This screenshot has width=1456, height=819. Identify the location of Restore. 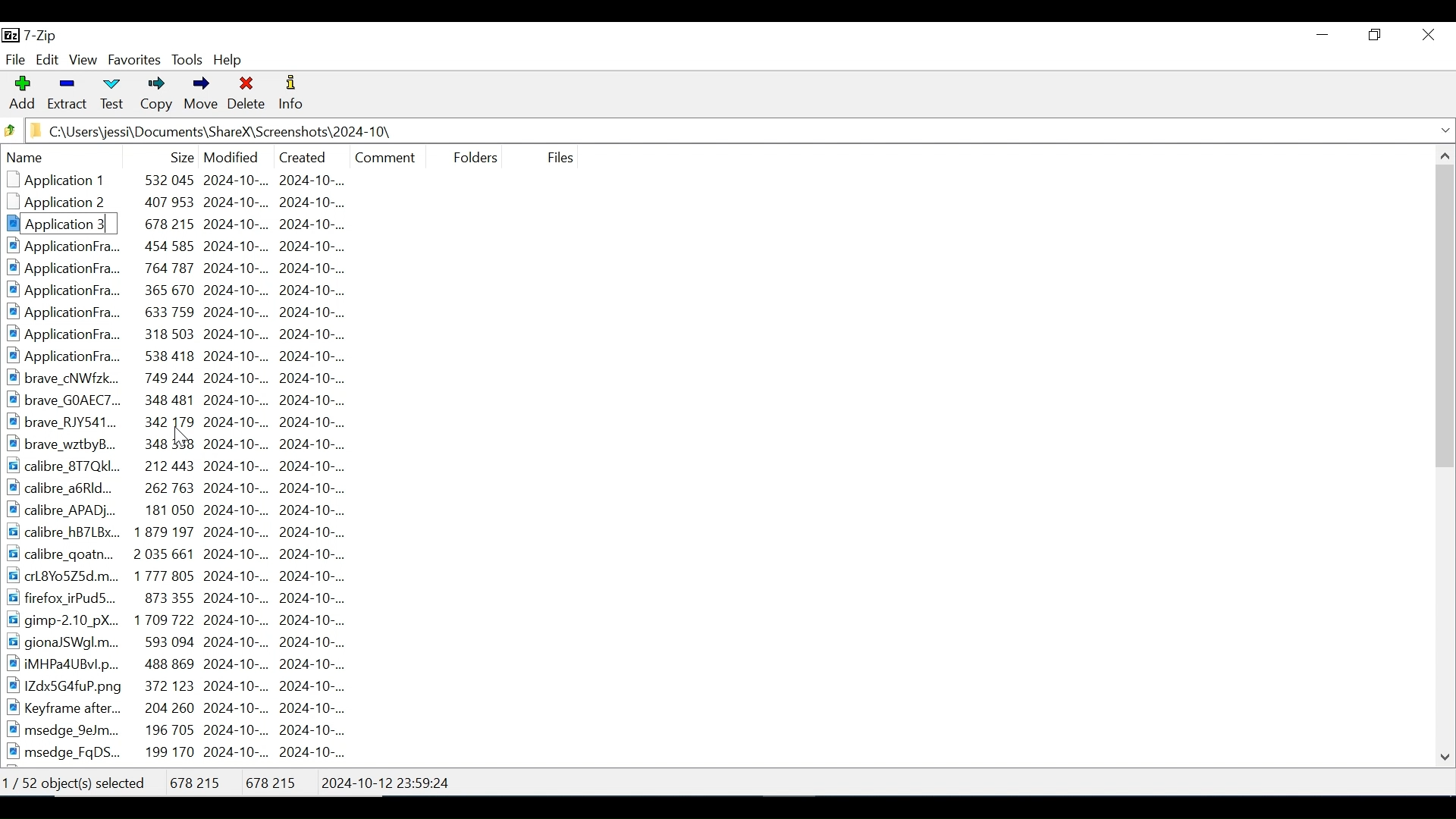
(1377, 34).